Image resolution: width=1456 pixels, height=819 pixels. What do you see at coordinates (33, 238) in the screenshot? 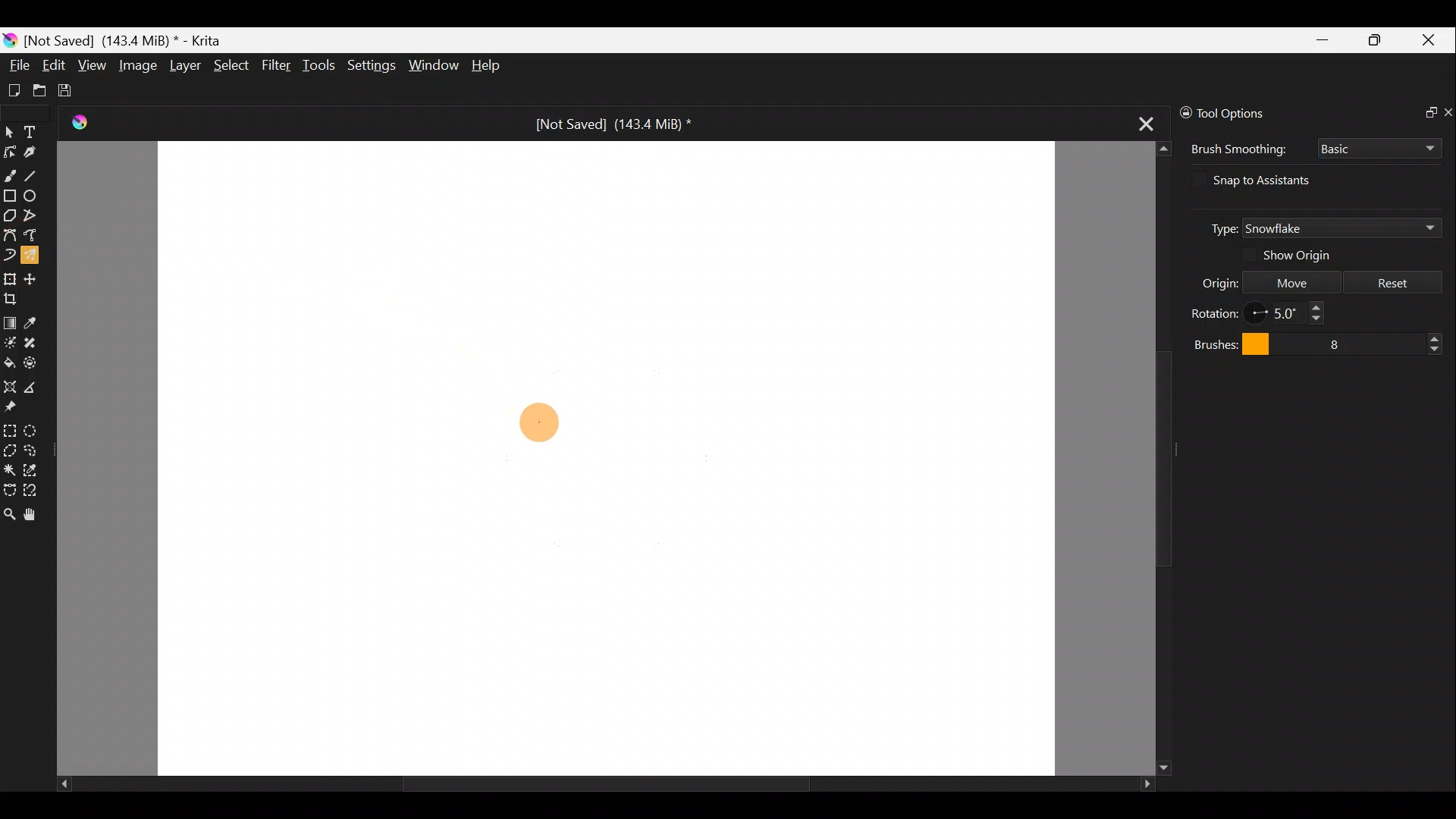
I see `Freehand path tool` at bounding box center [33, 238].